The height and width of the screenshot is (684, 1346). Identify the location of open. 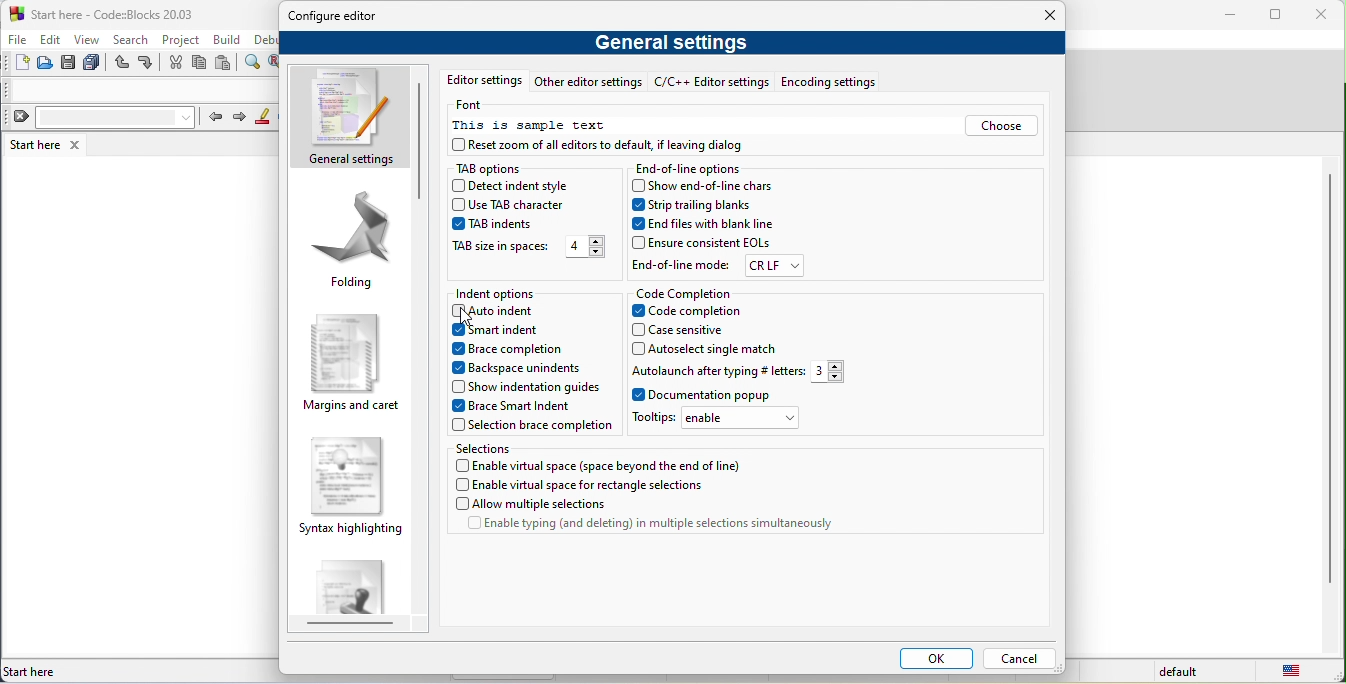
(44, 66).